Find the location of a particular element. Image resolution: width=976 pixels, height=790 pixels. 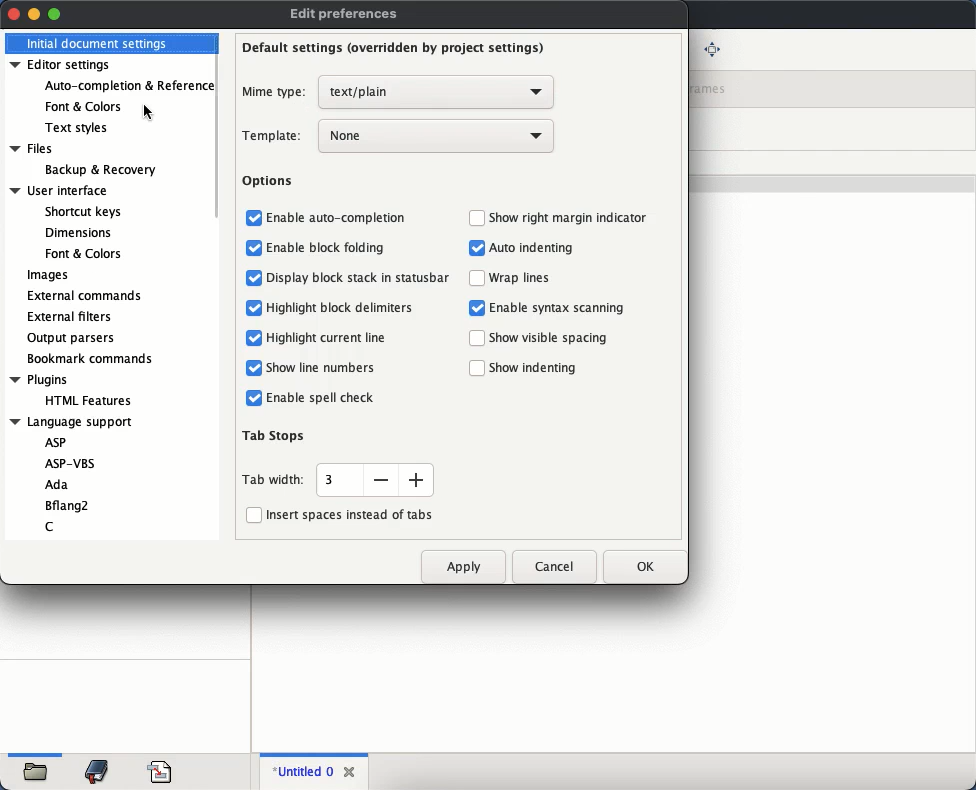

ASP is located at coordinates (55, 442).